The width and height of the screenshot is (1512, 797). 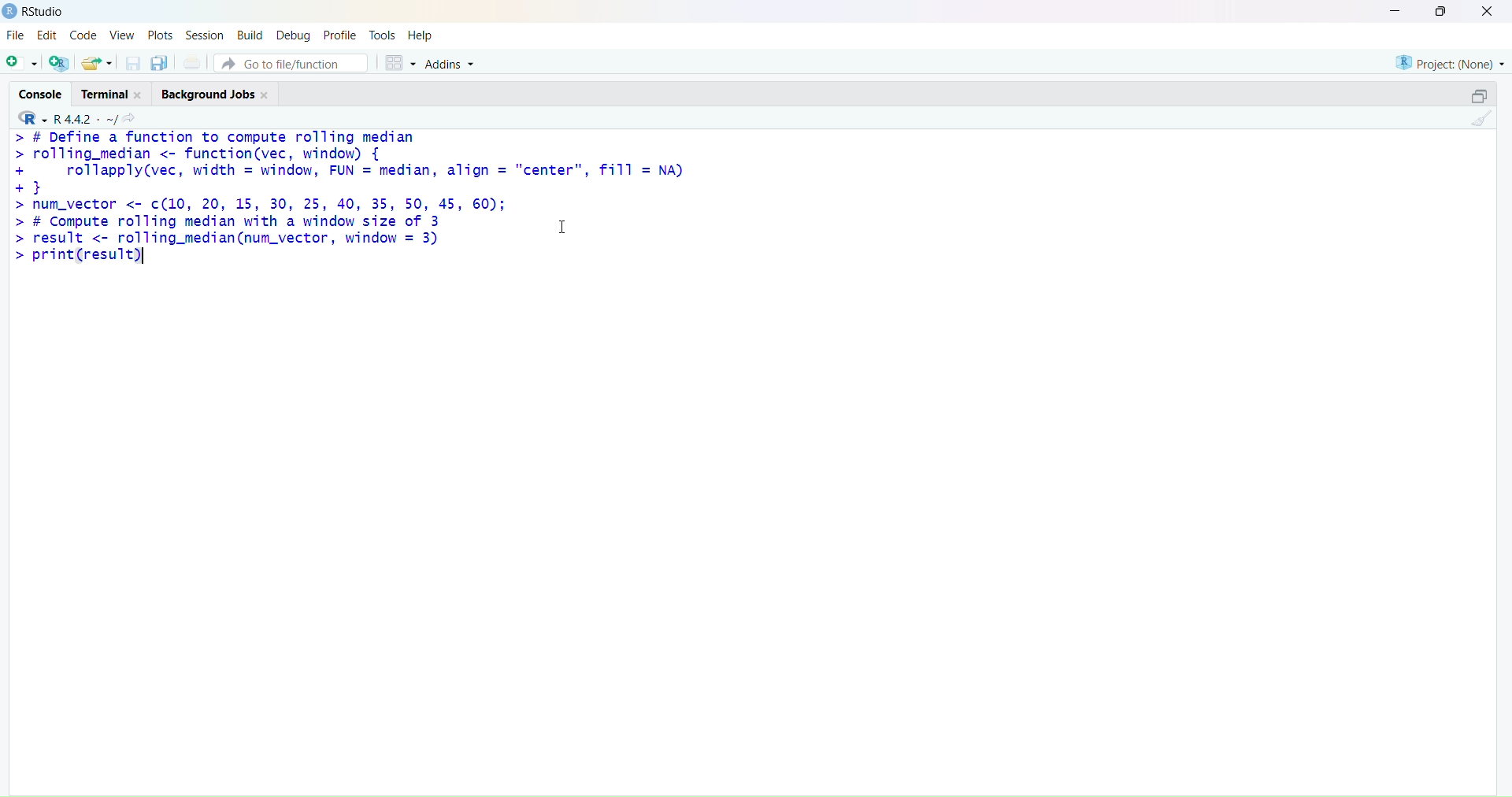 What do you see at coordinates (122, 36) in the screenshot?
I see `view` at bounding box center [122, 36].